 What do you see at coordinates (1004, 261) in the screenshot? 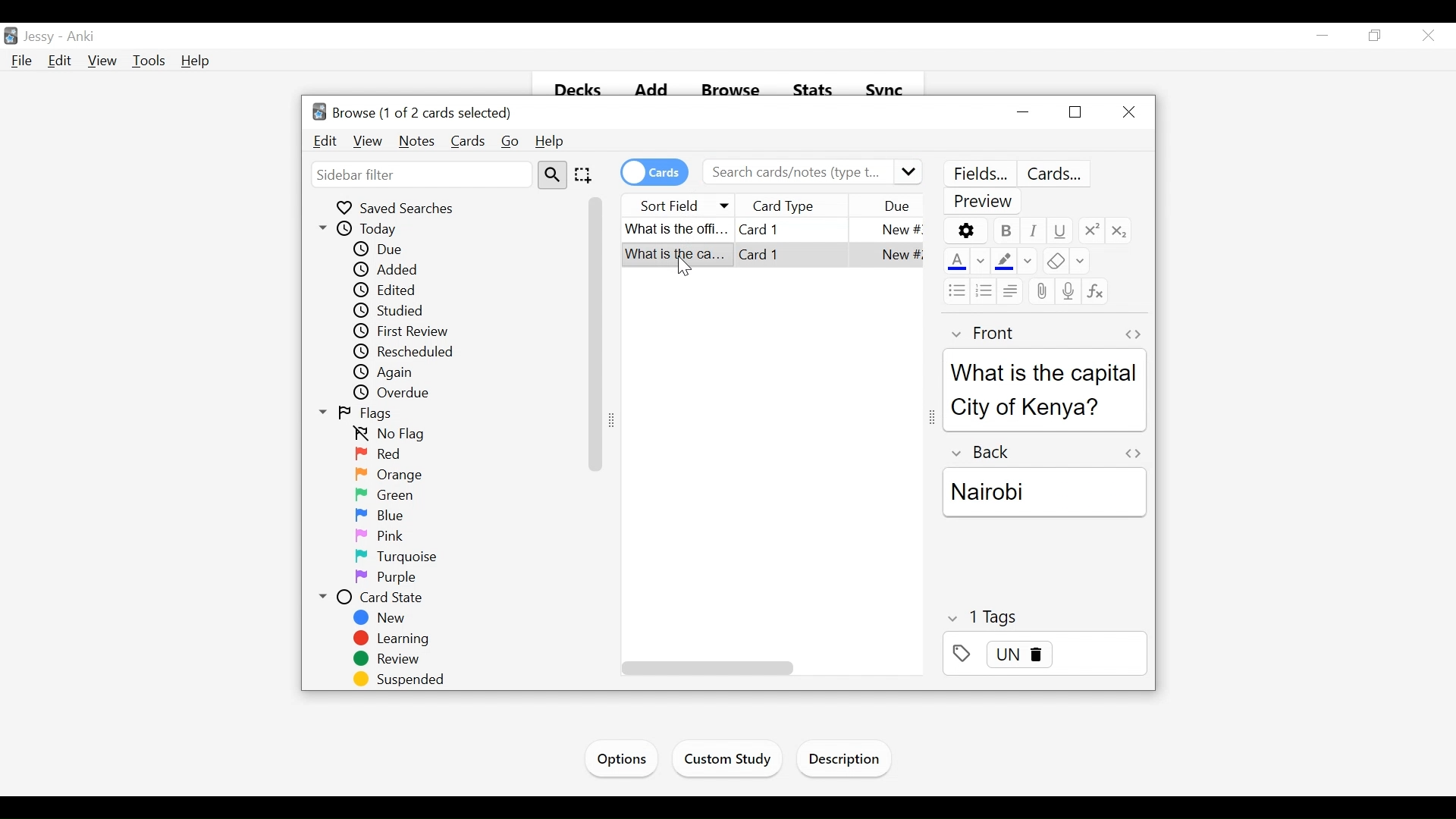
I see `Highlight color` at bounding box center [1004, 261].